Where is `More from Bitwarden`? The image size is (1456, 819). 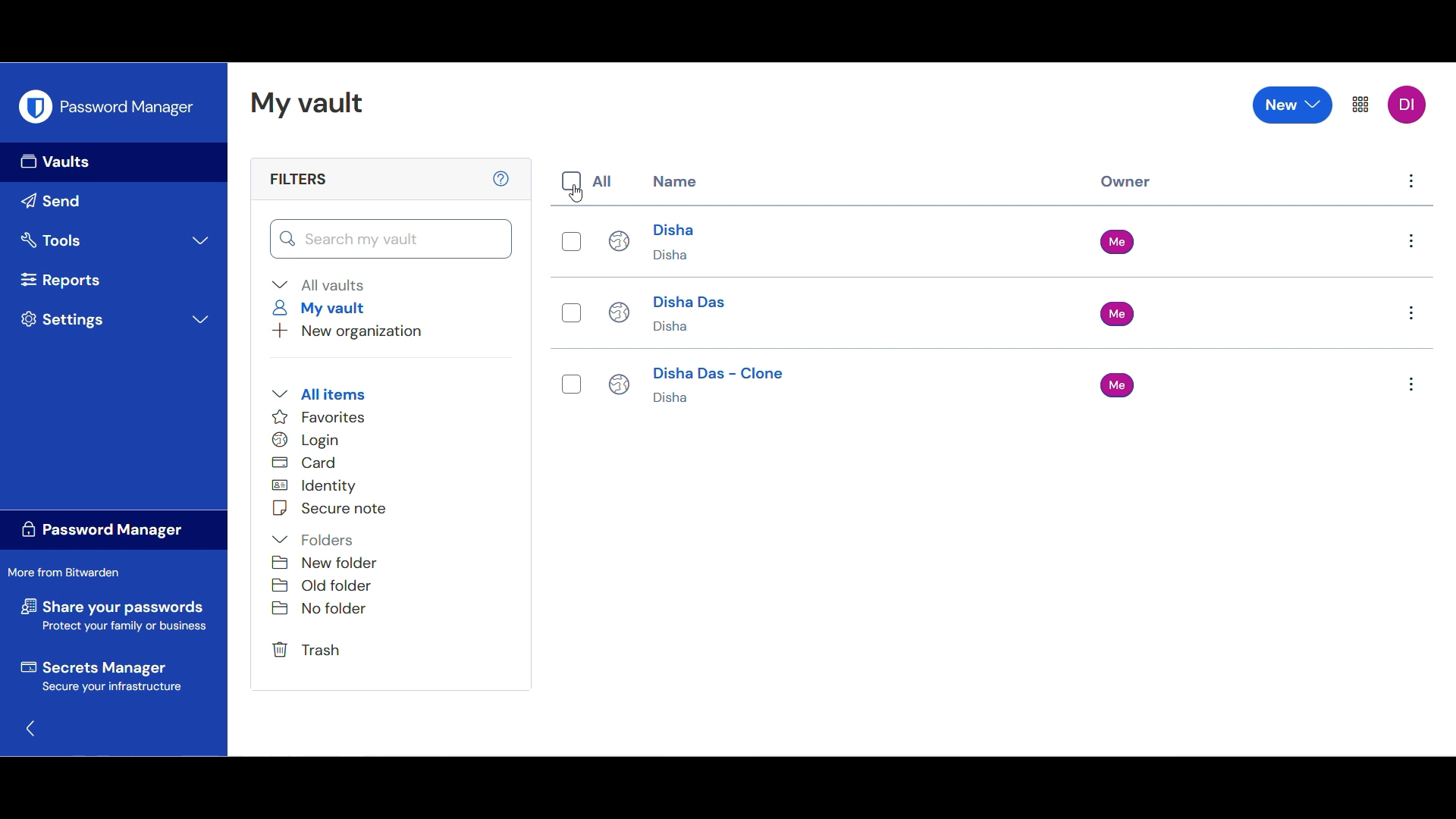
More from Bitwarden is located at coordinates (69, 573).